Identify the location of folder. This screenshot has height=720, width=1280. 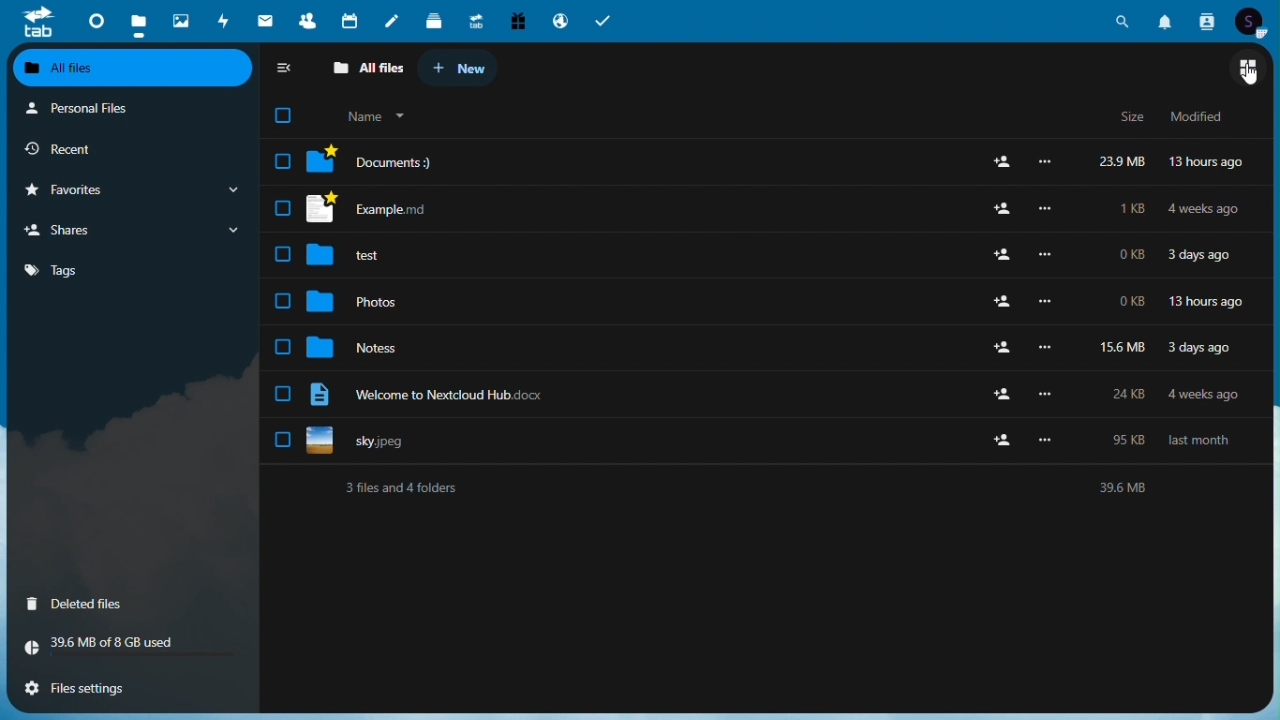
(322, 347).